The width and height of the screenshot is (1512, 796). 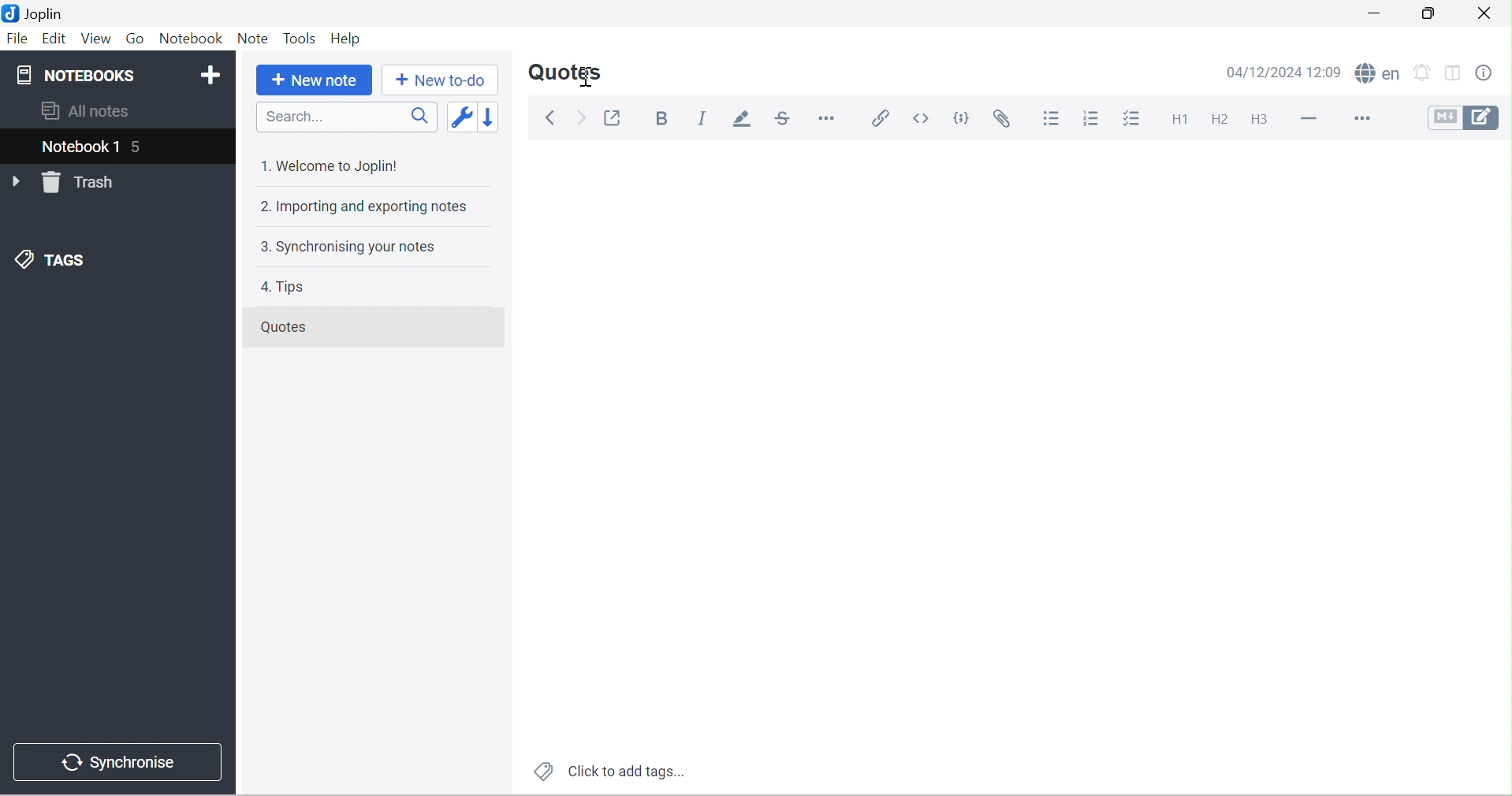 I want to click on Heading 2, so click(x=1223, y=119).